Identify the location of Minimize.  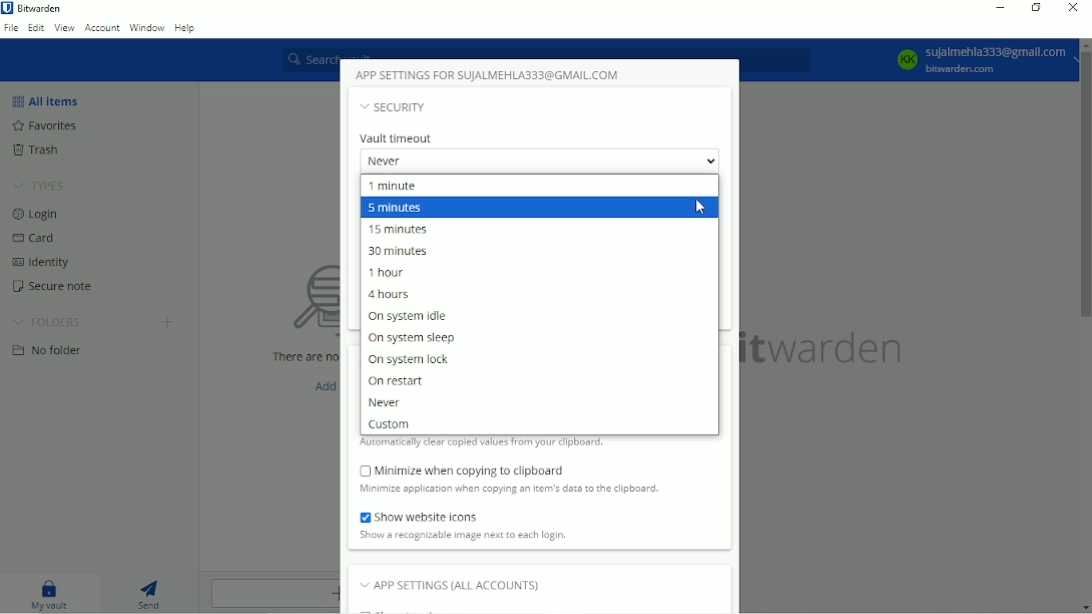
(1001, 8).